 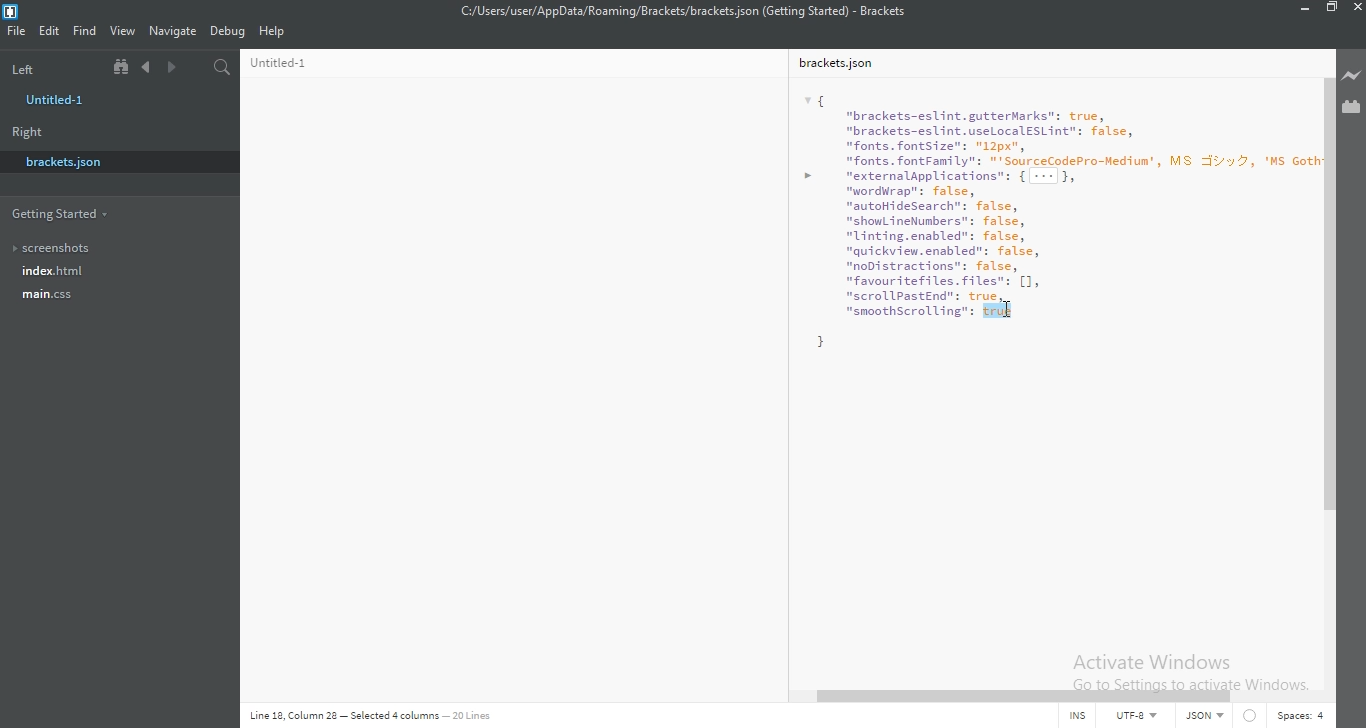 I want to click on Live preview, so click(x=1353, y=71).